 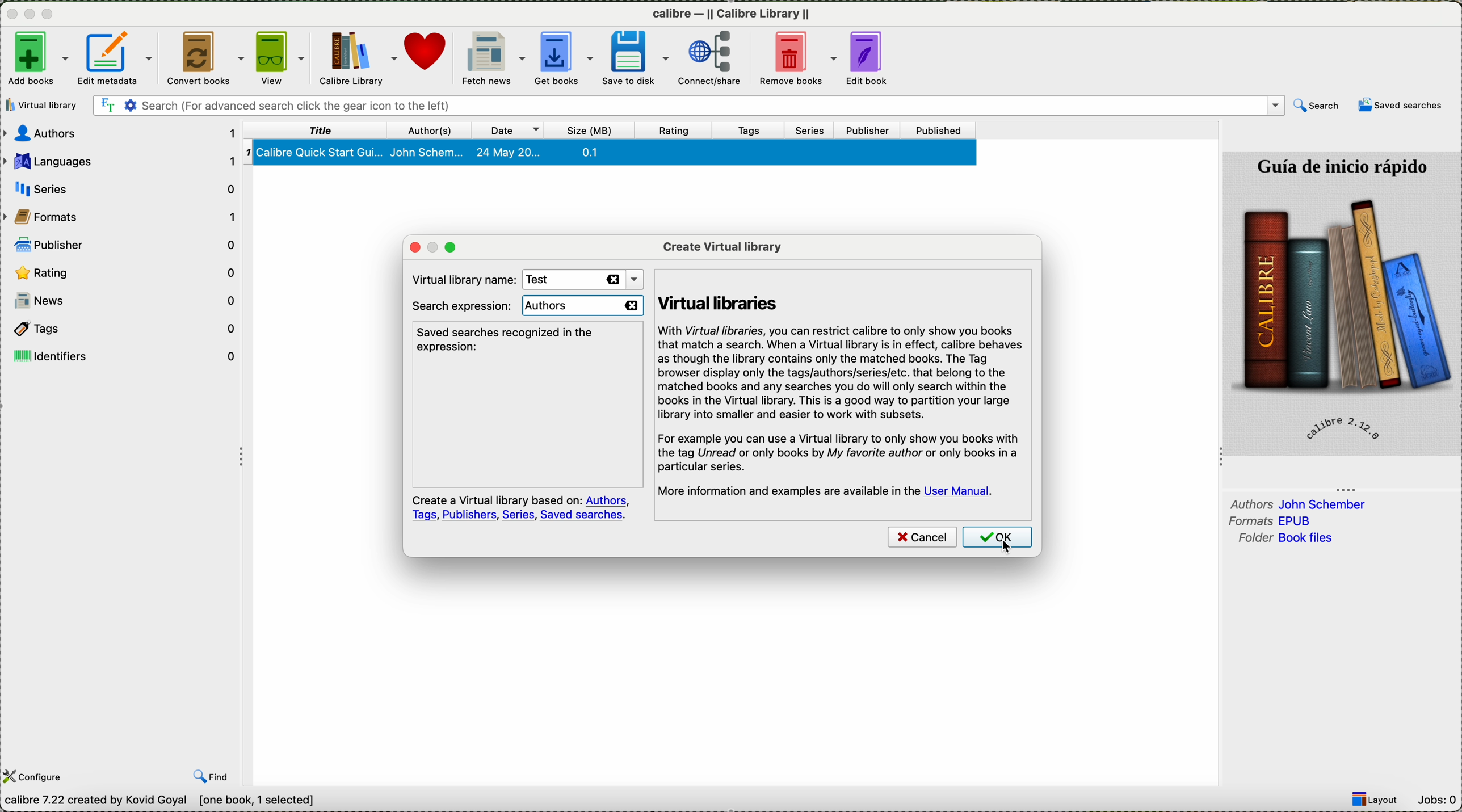 I want to click on saved searches recognized the expression, so click(x=509, y=339).